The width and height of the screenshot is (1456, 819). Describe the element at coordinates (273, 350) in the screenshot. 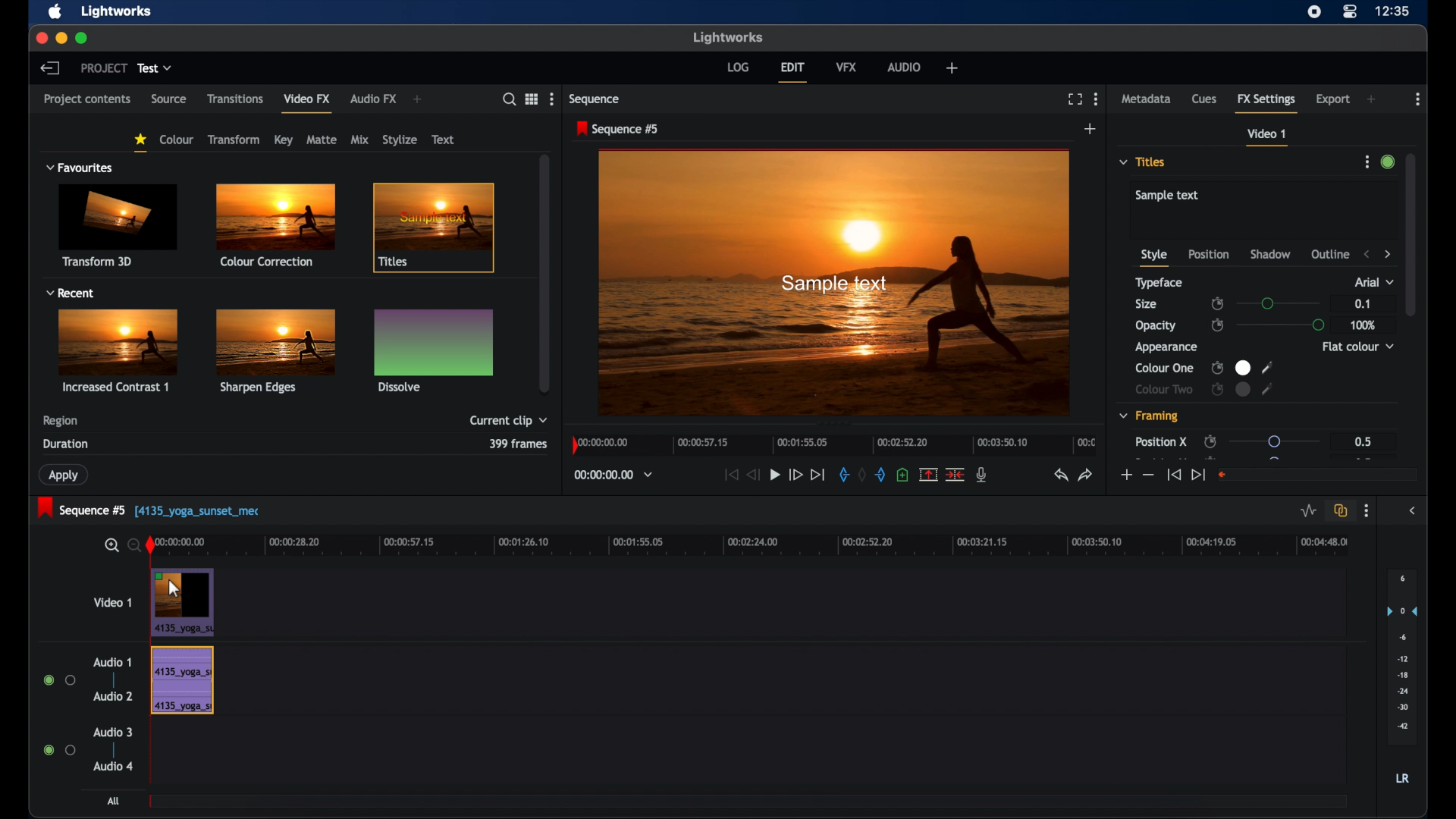

I see `sharpen edges` at that location.